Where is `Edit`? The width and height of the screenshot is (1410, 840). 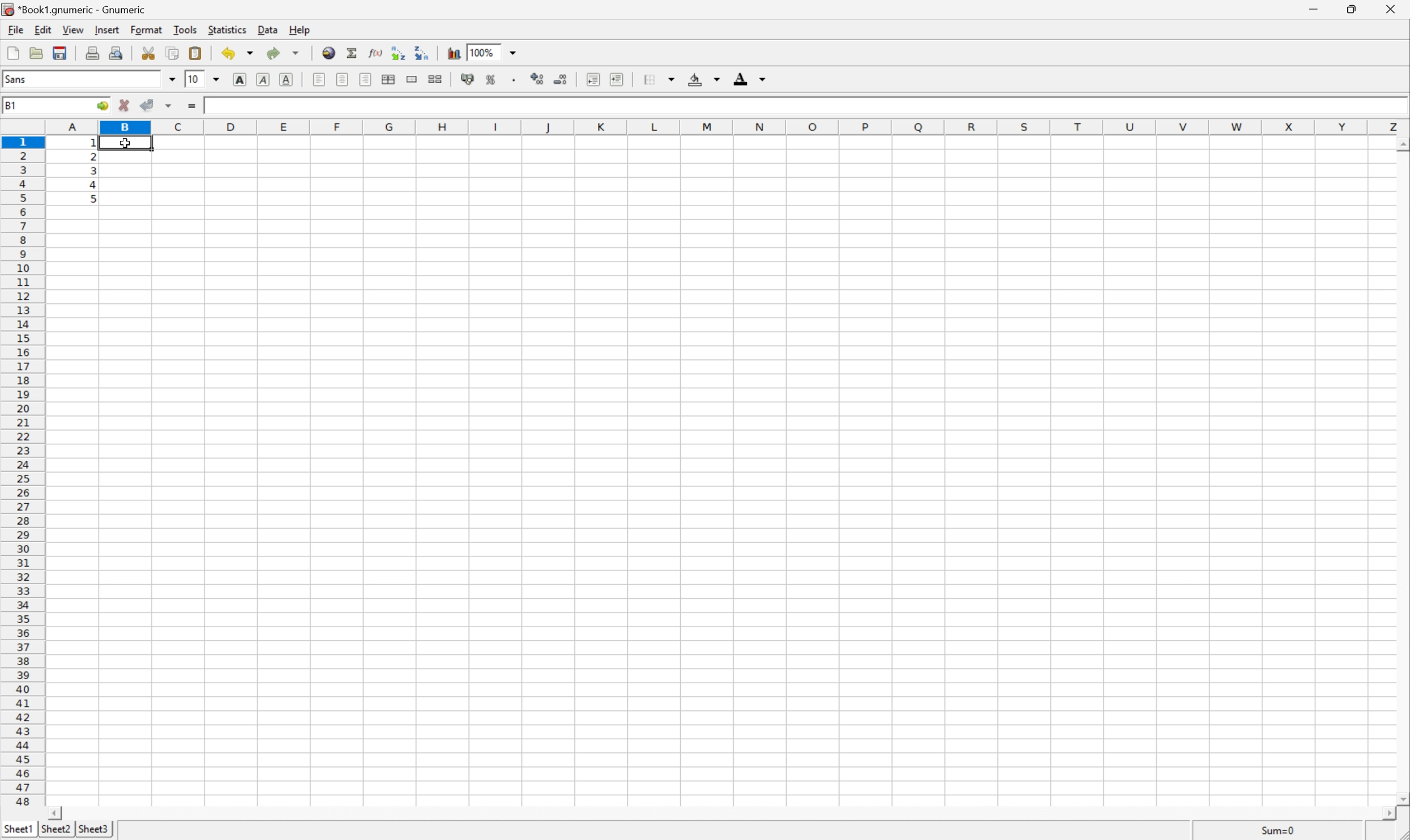 Edit is located at coordinates (44, 29).